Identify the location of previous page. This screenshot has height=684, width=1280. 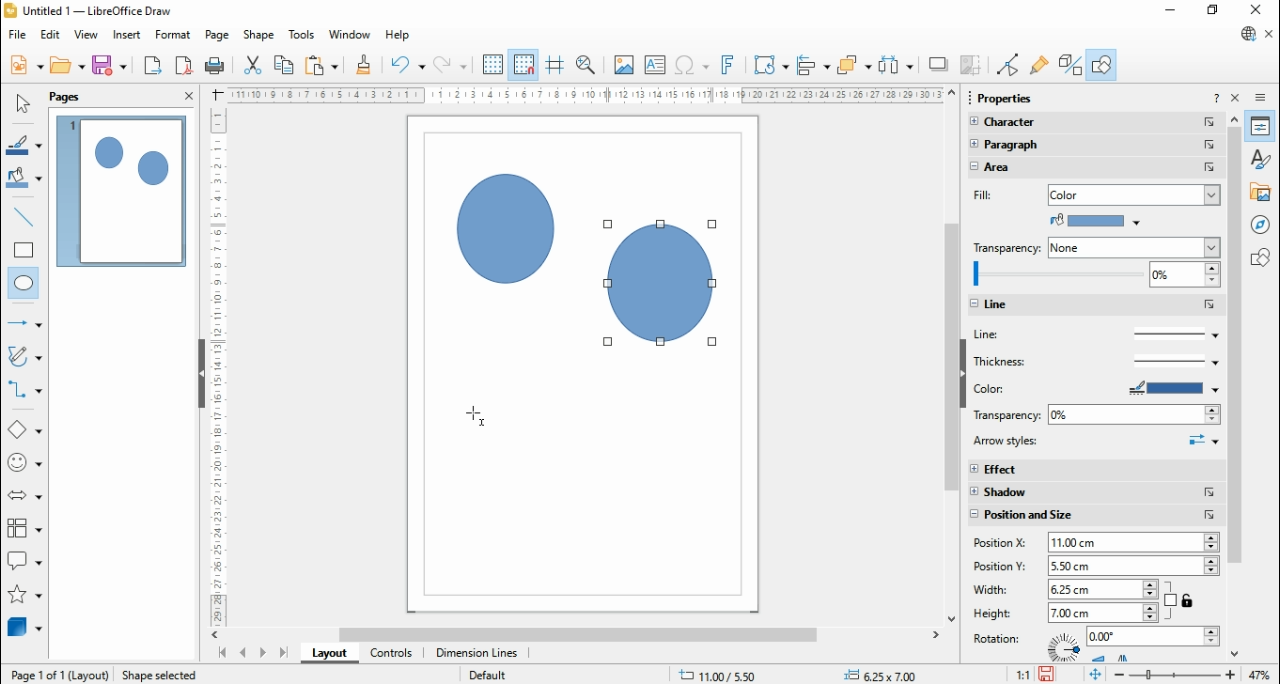
(244, 653).